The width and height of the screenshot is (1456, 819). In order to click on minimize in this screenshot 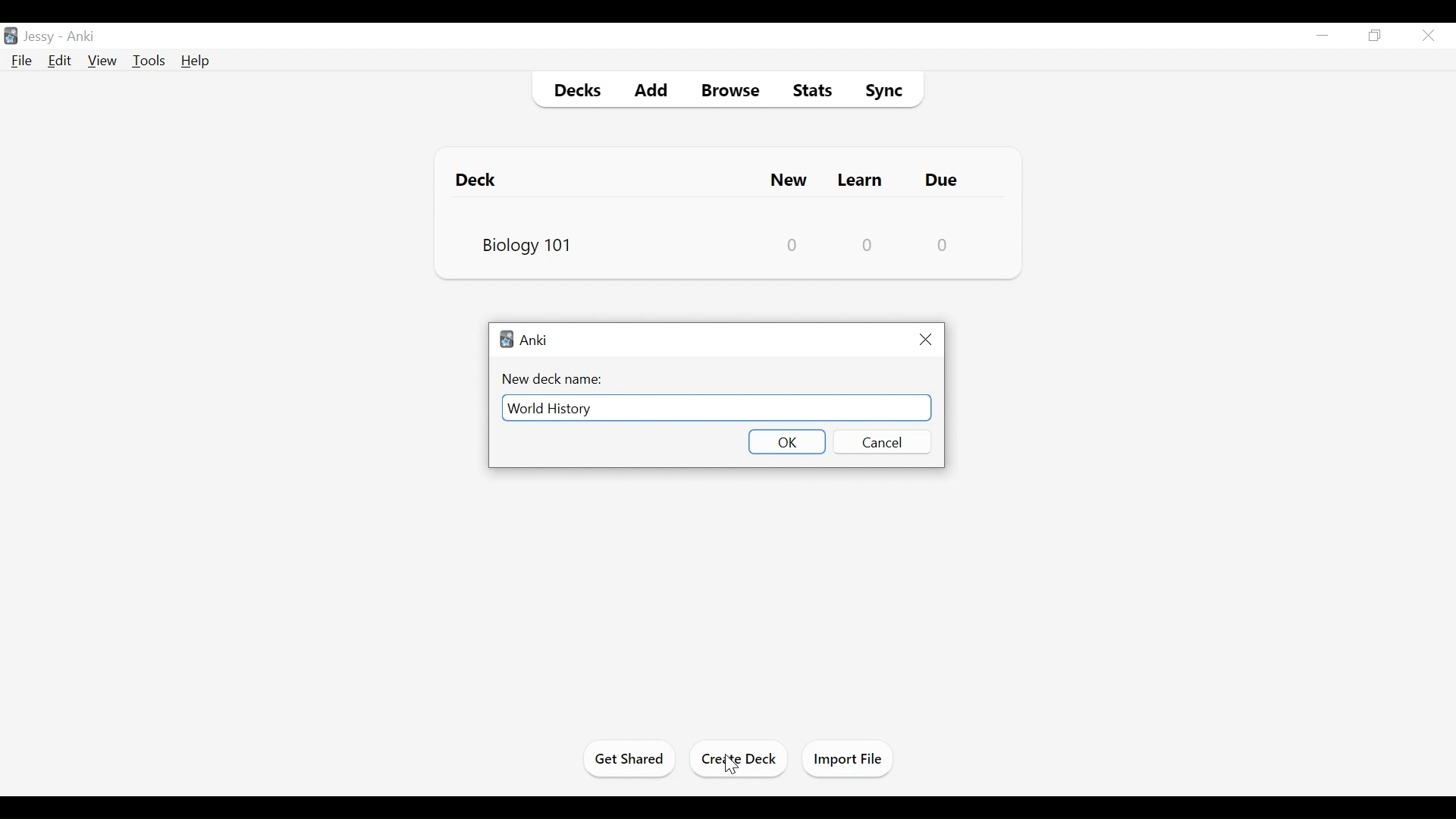, I will do `click(1323, 34)`.